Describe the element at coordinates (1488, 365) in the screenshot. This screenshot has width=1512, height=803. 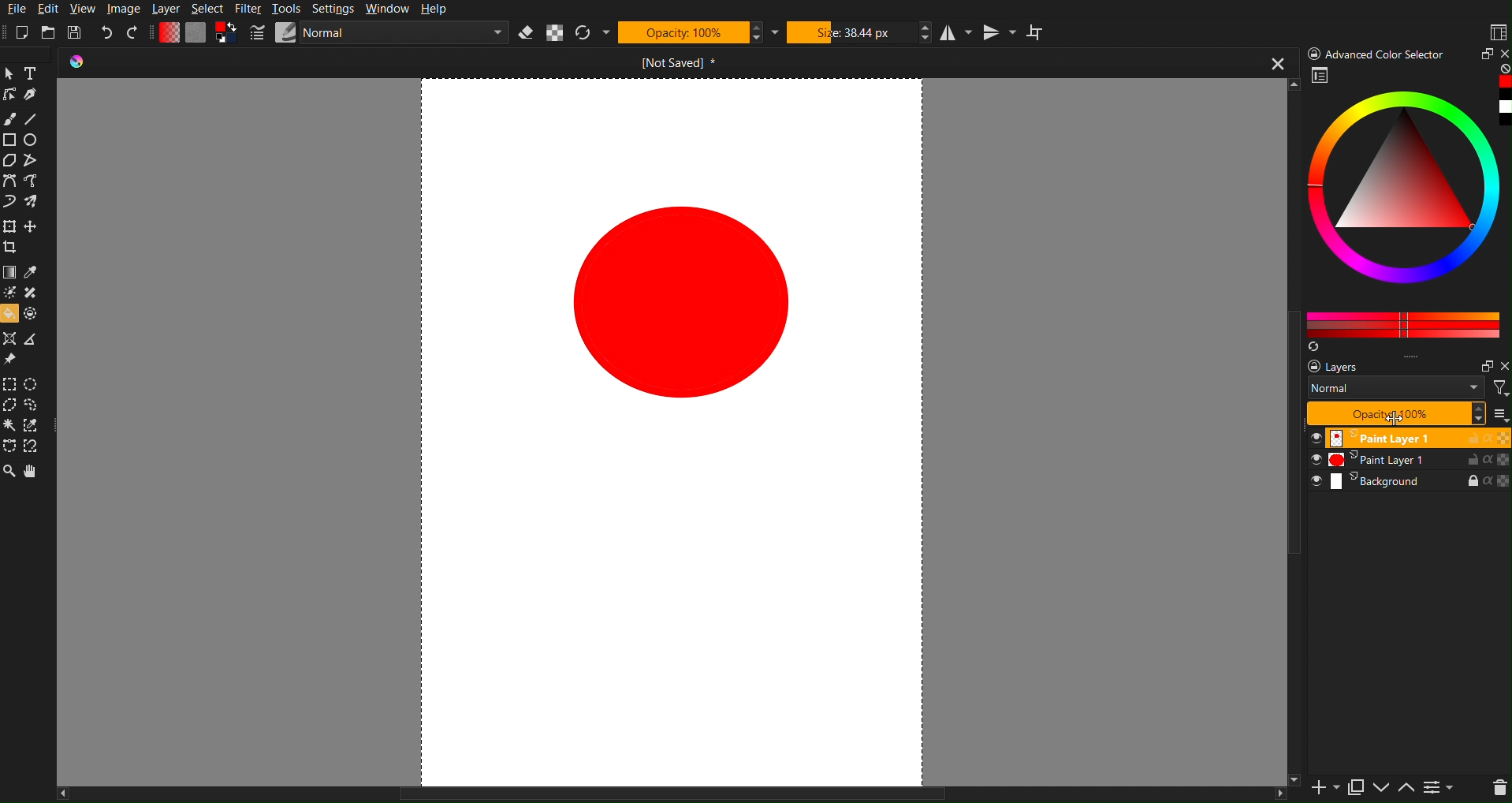
I see `Minimize` at that location.